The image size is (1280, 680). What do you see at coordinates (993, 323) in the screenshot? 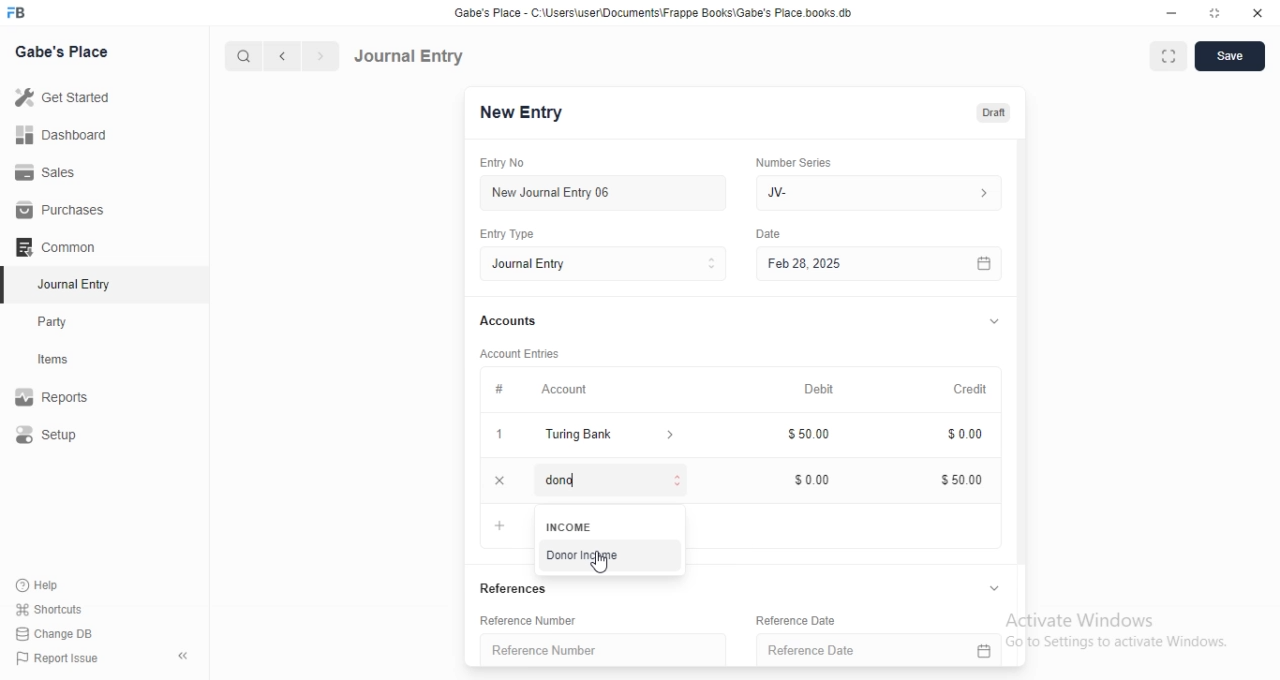
I see `collapse` at bounding box center [993, 323].